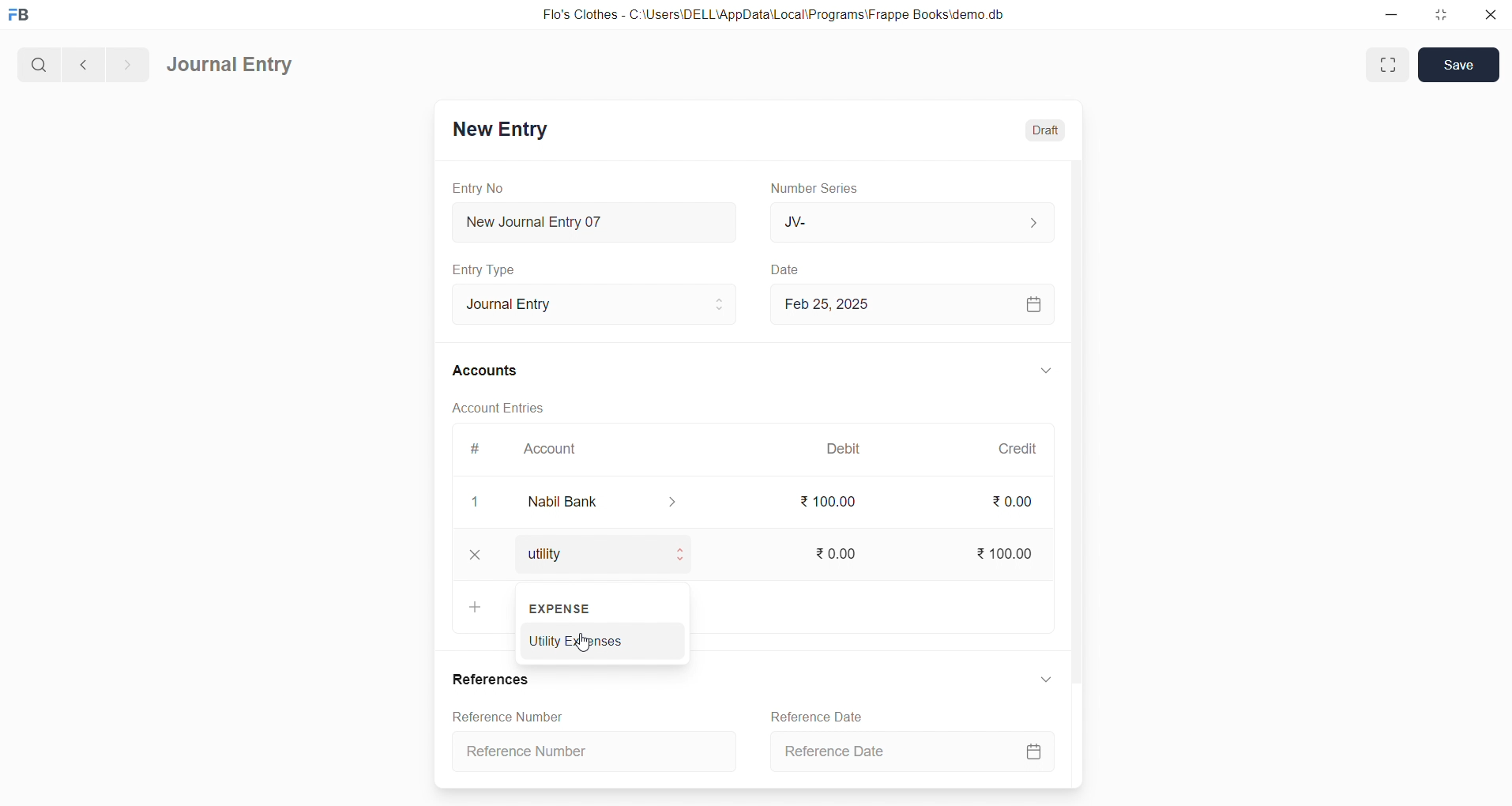 Image resolution: width=1512 pixels, height=806 pixels. What do you see at coordinates (473, 187) in the screenshot?
I see `Entry No` at bounding box center [473, 187].